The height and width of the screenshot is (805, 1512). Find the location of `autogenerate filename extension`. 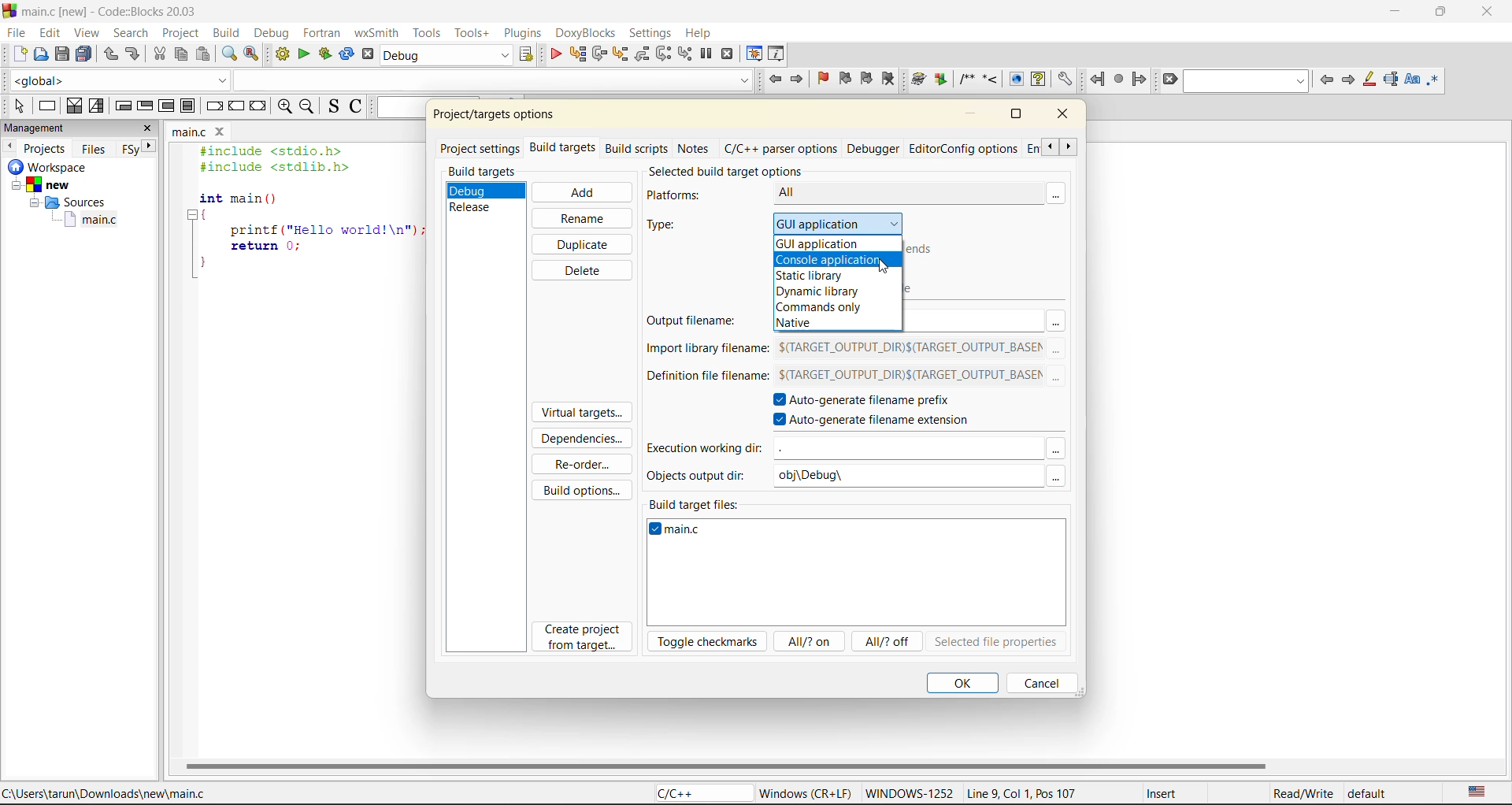

autogenerate filename extension is located at coordinates (879, 421).